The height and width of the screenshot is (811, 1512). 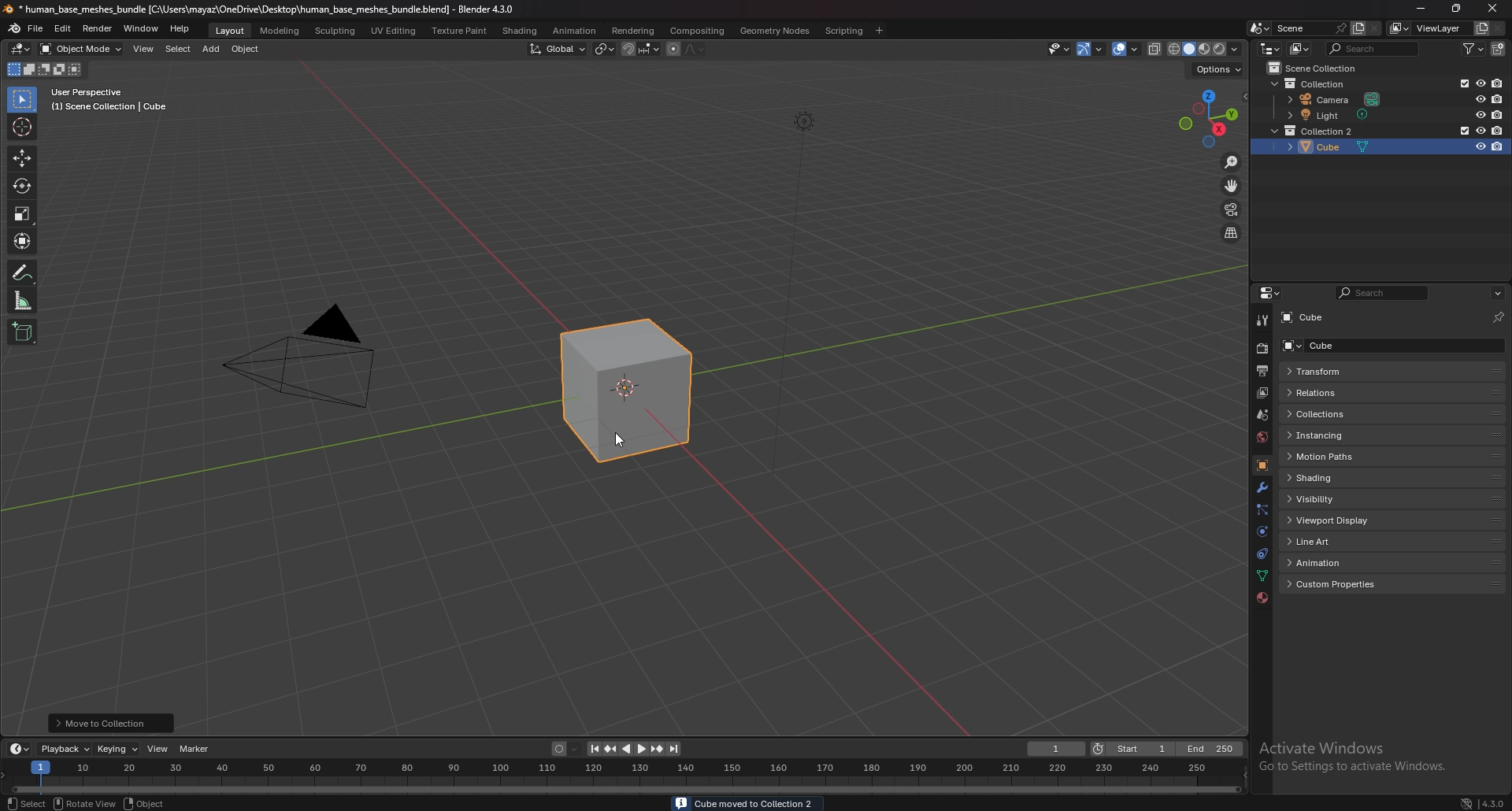 I want to click on window, so click(x=142, y=29).